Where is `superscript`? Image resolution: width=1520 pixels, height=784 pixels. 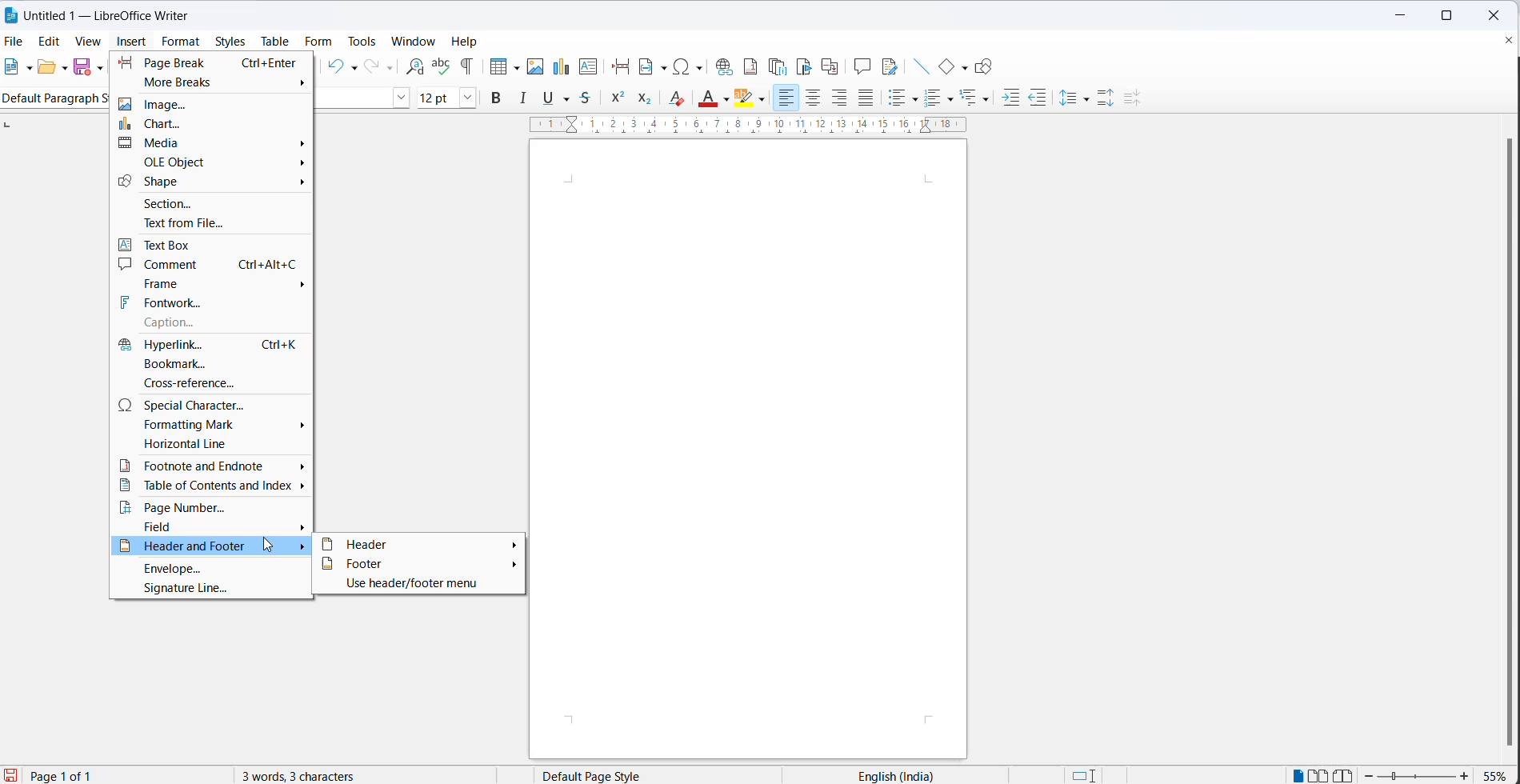 superscript is located at coordinates (619, 98).